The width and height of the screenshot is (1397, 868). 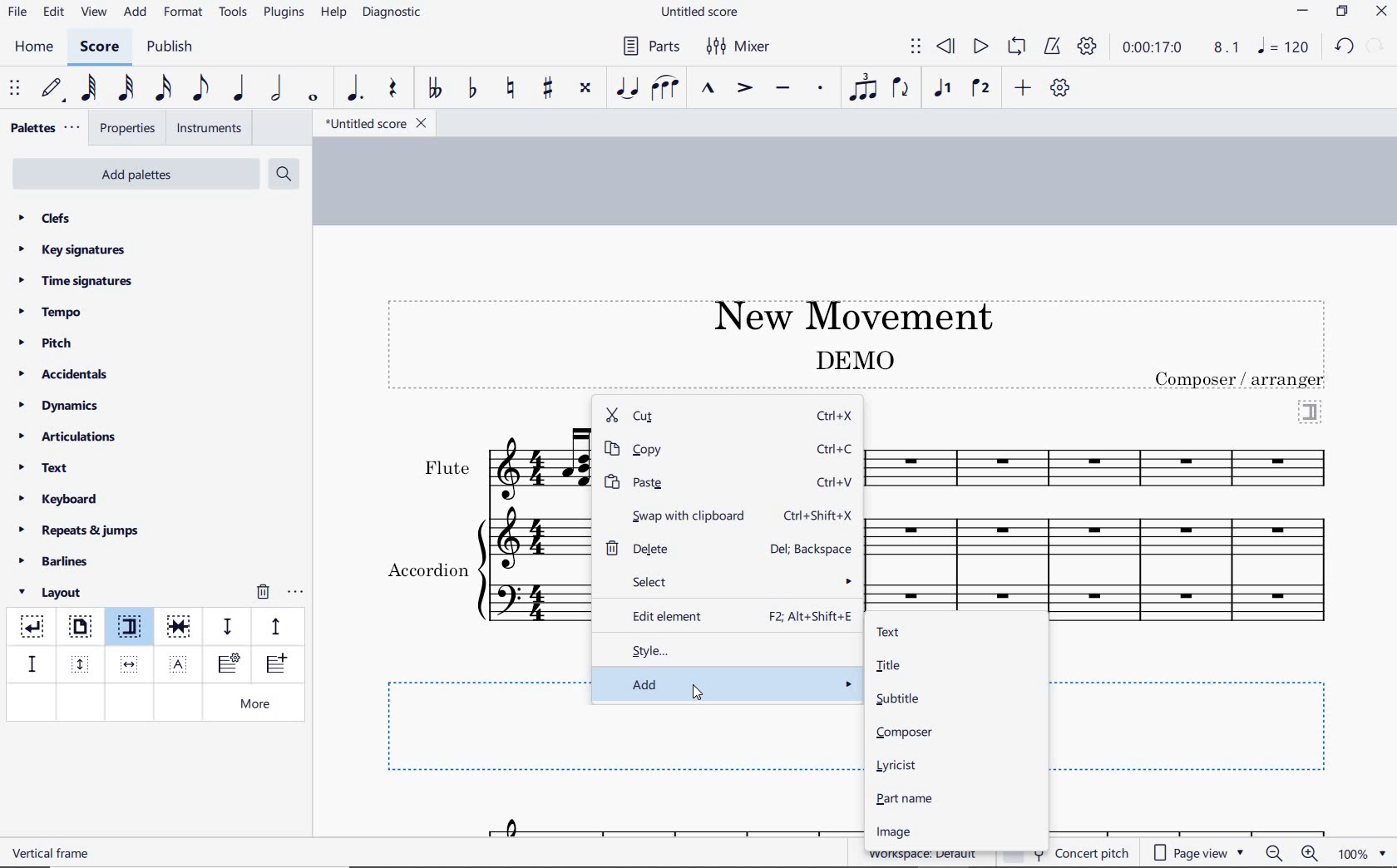 I want to click on redo, so click(x=1344, y=46).